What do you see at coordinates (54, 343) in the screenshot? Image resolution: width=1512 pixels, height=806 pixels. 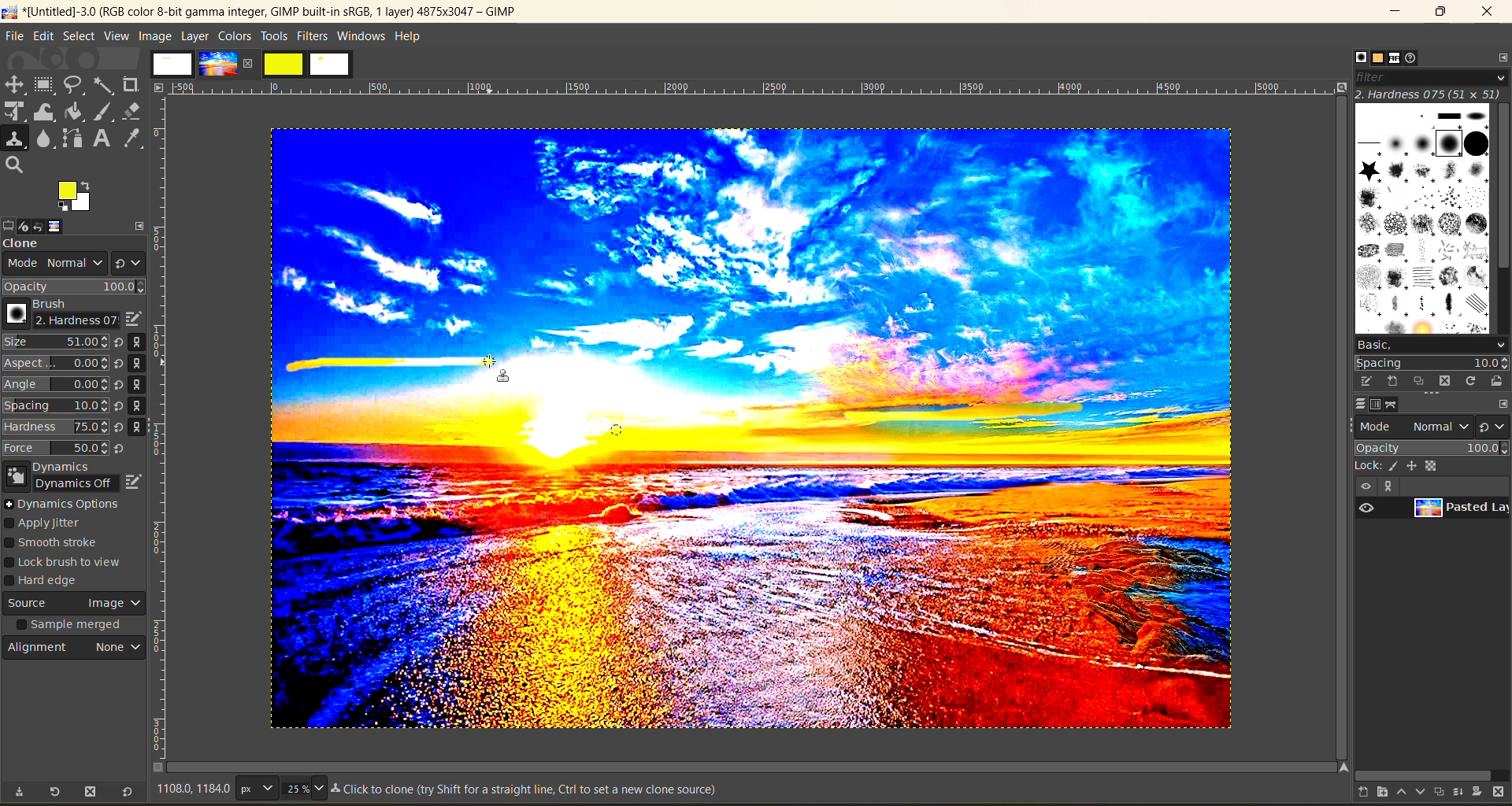 I see `Size 51.00` at bounding box center [54, 343].